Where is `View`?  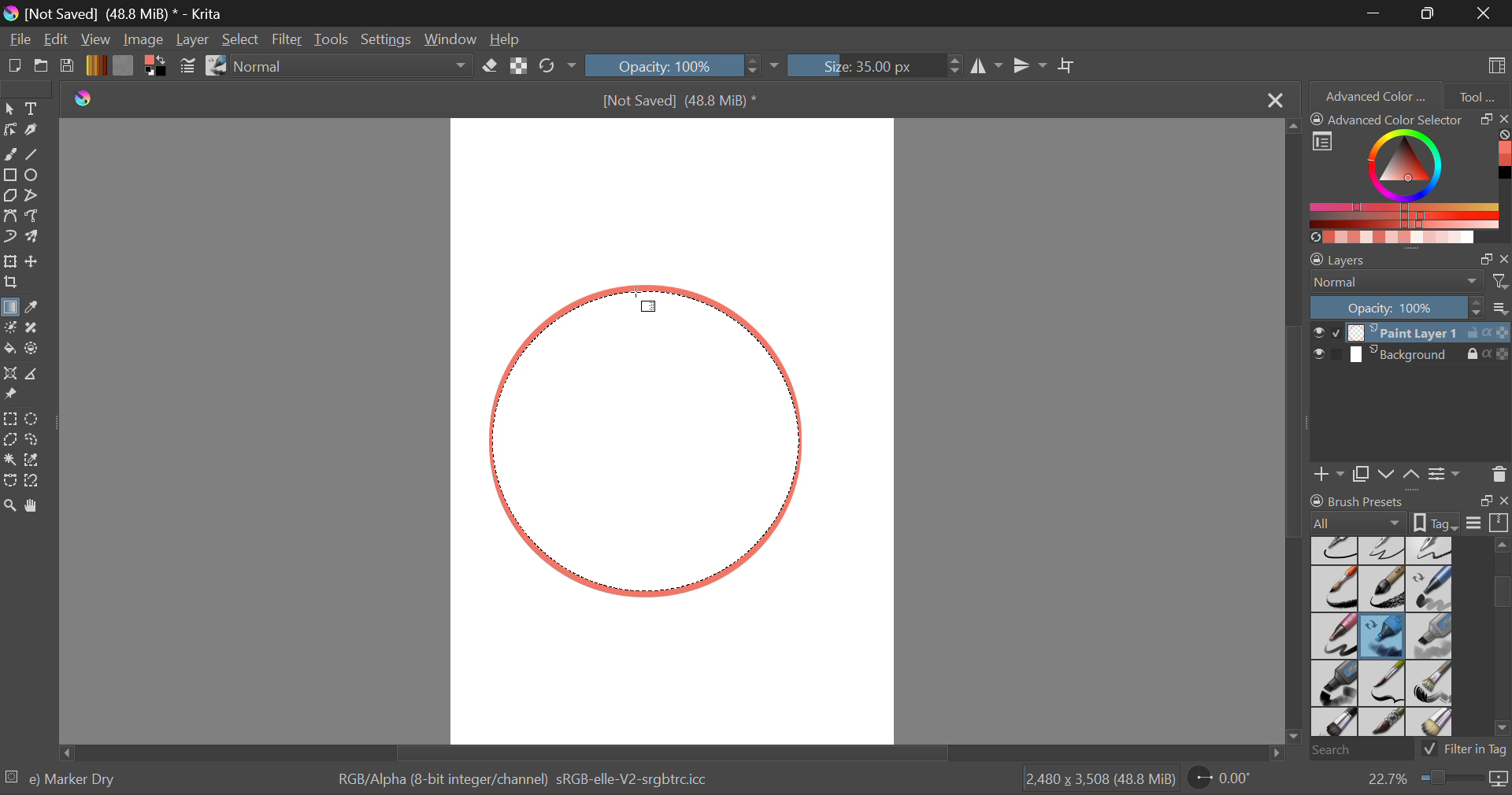
View is located at coordinates (98, 40).